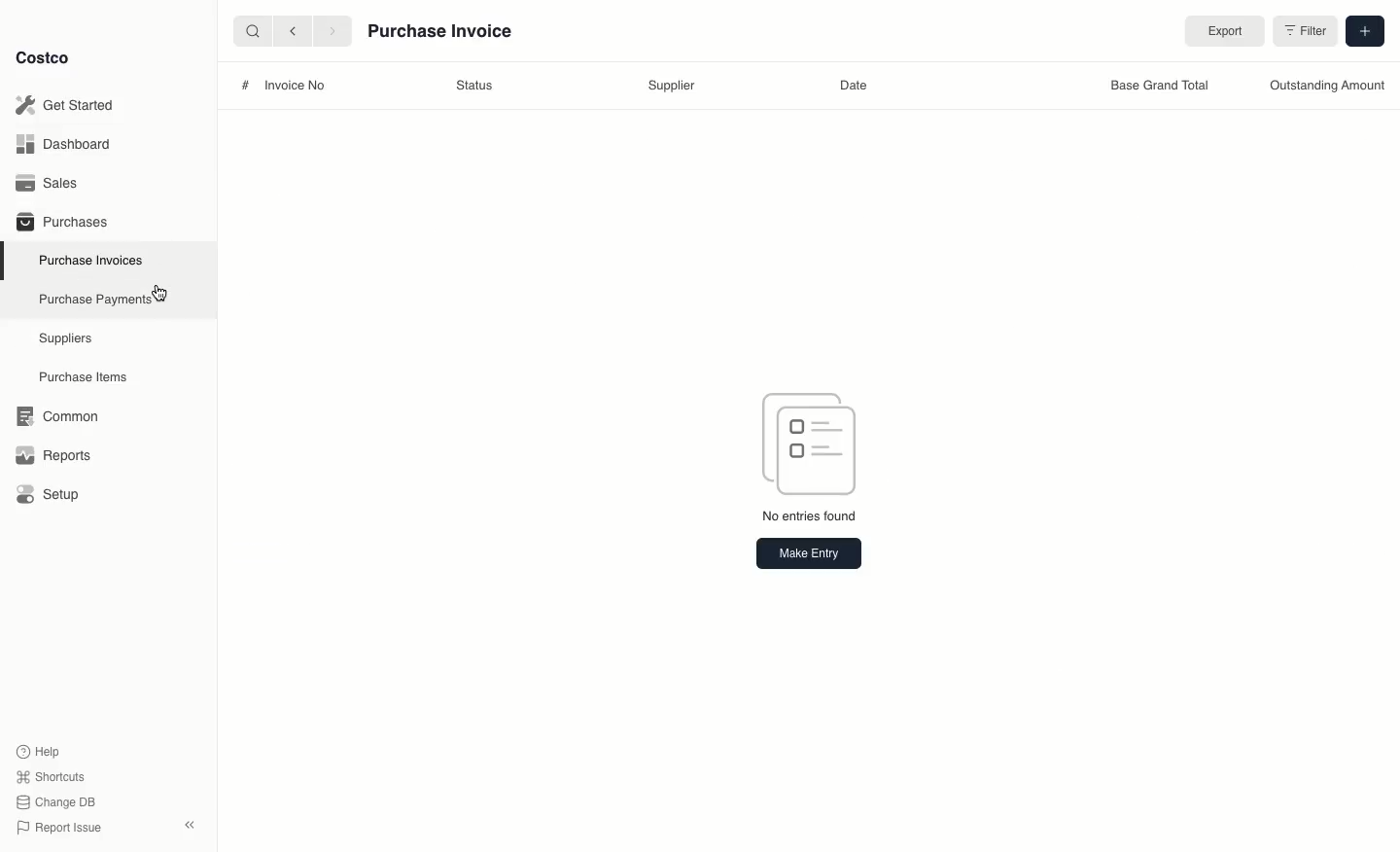 The height and width of the screenshot is (852, 1400). I want to click on Sales, so click(53, 183).